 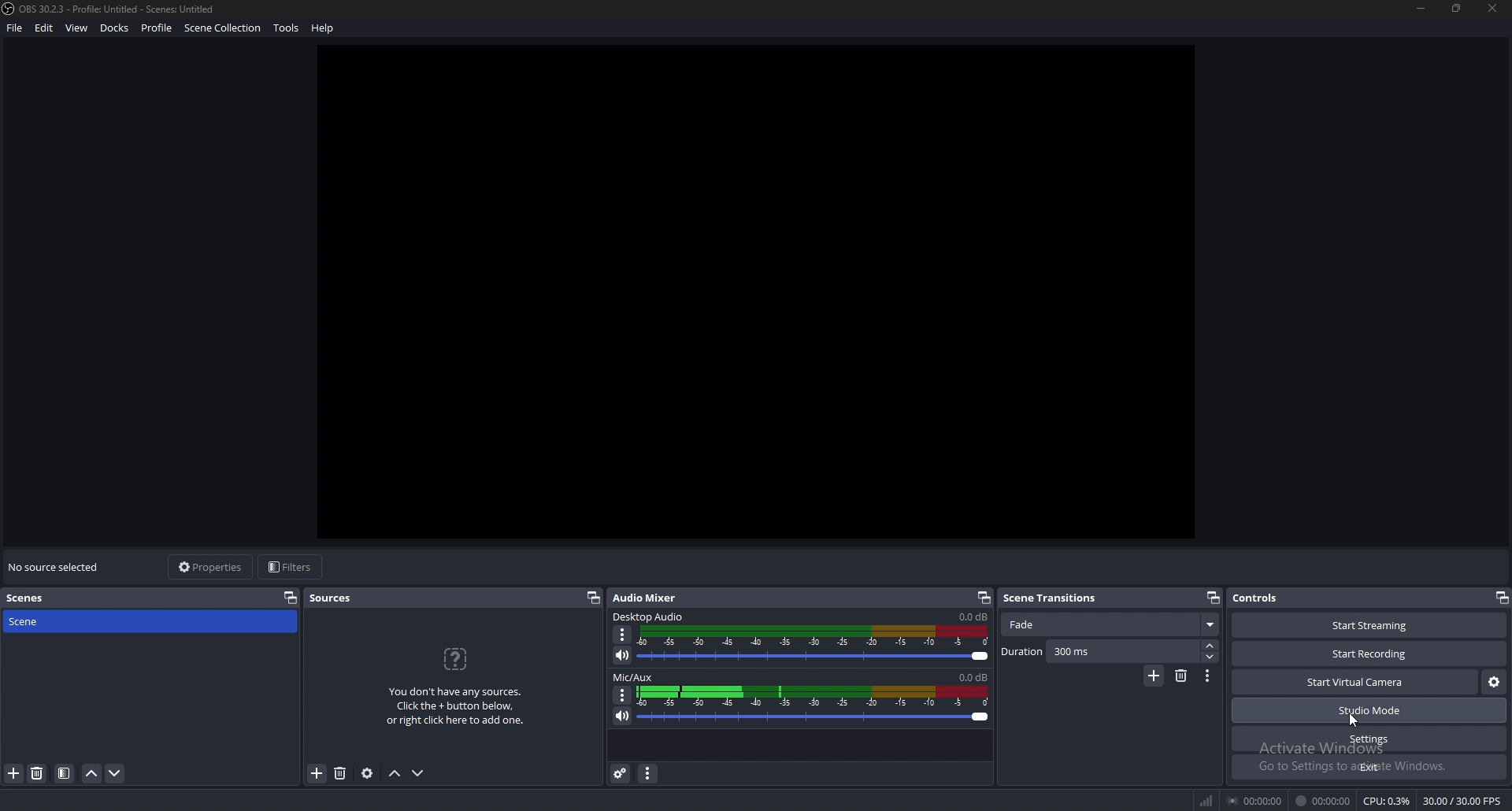 I want to click on Options, so click(x=621, y=694).